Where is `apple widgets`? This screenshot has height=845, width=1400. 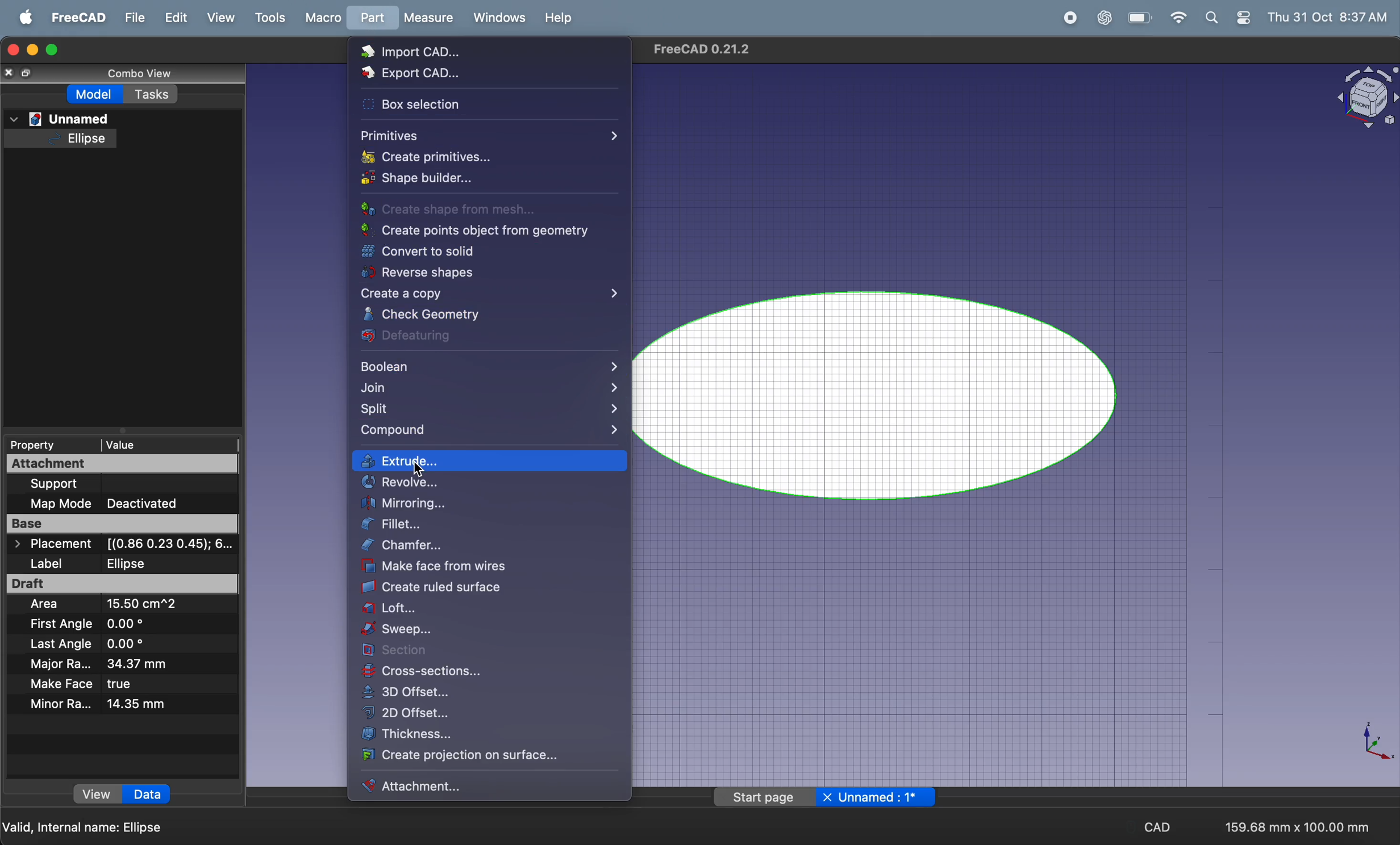
apple widgets is located at coordinates (1227, 19).